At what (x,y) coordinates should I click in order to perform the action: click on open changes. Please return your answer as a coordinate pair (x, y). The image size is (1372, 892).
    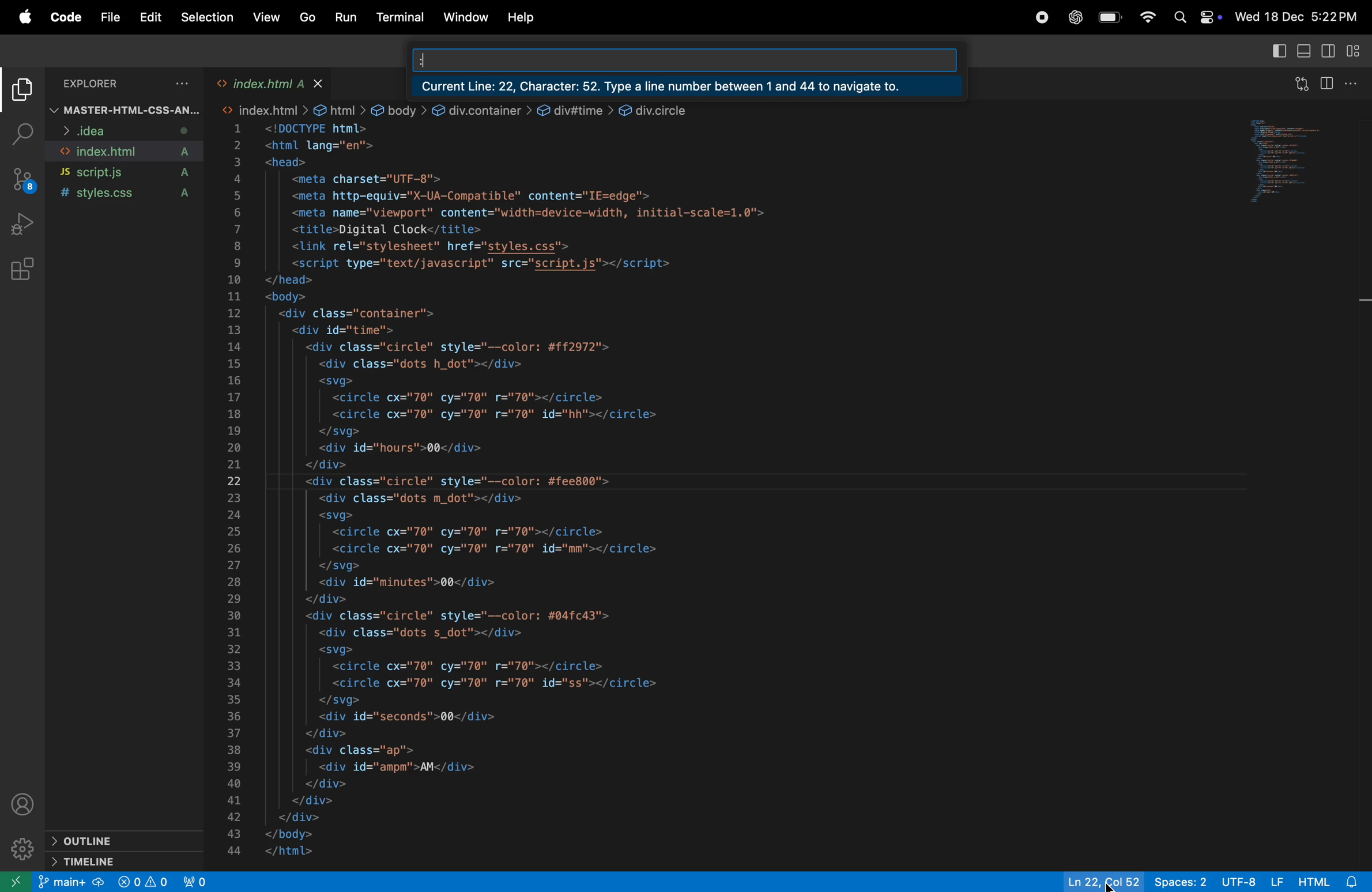
    Looking at the image, I should click on (1299, 85).